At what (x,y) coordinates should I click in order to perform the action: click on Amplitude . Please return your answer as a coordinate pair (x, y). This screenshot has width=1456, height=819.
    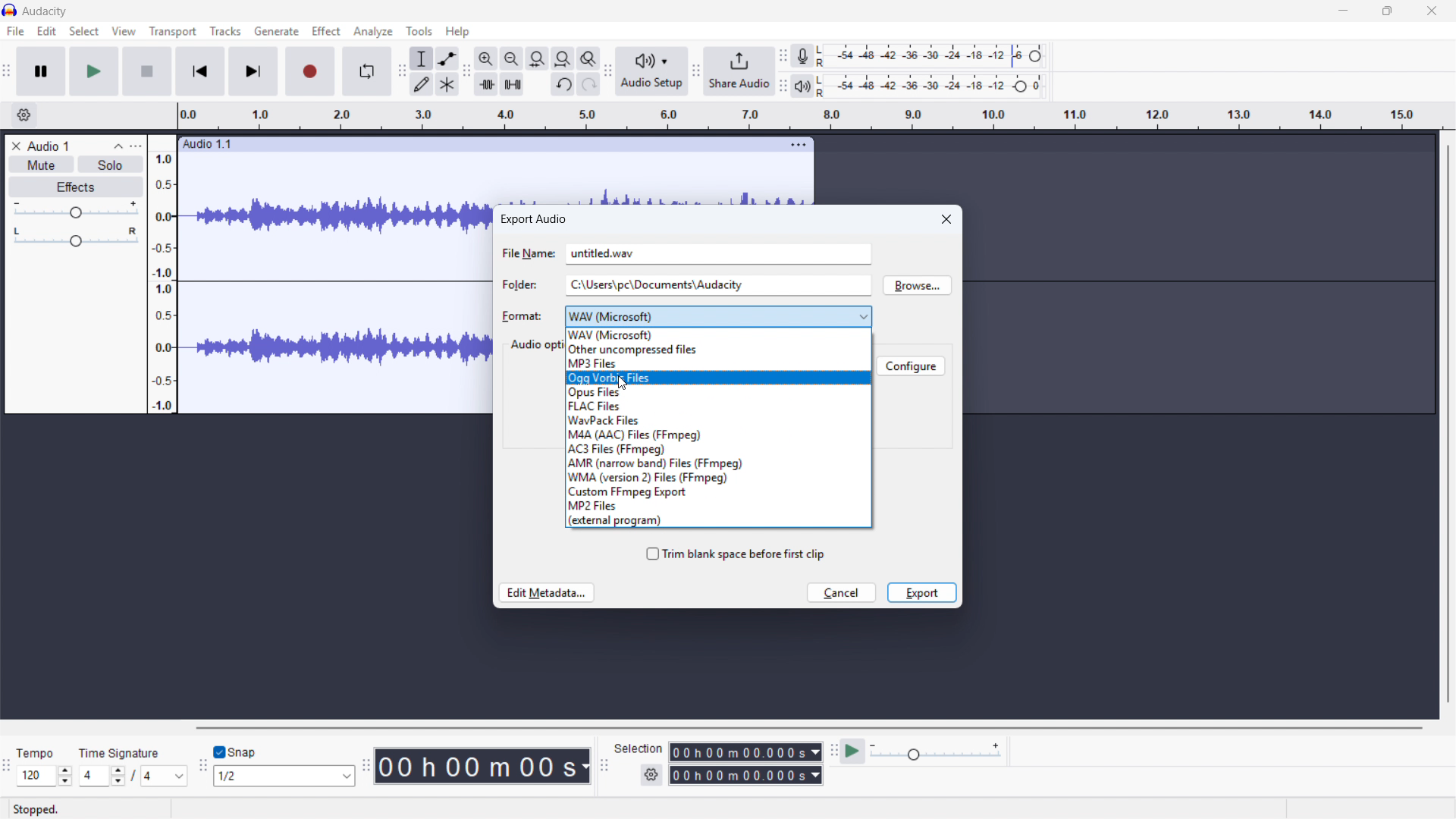
    Looking at the image, I should click on (162, 274).